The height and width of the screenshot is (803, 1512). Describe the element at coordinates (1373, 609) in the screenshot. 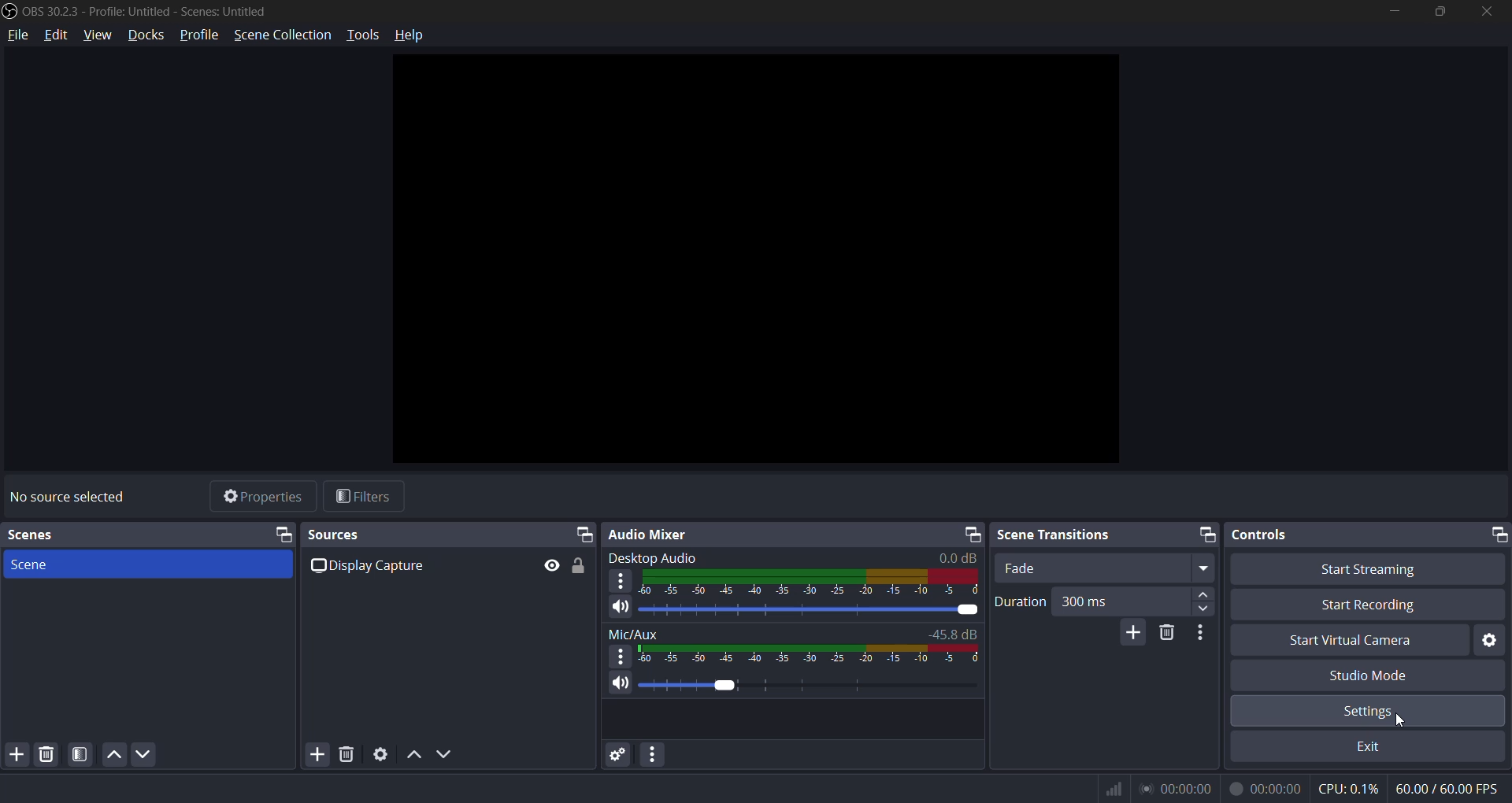

I see `start recording` at that location.